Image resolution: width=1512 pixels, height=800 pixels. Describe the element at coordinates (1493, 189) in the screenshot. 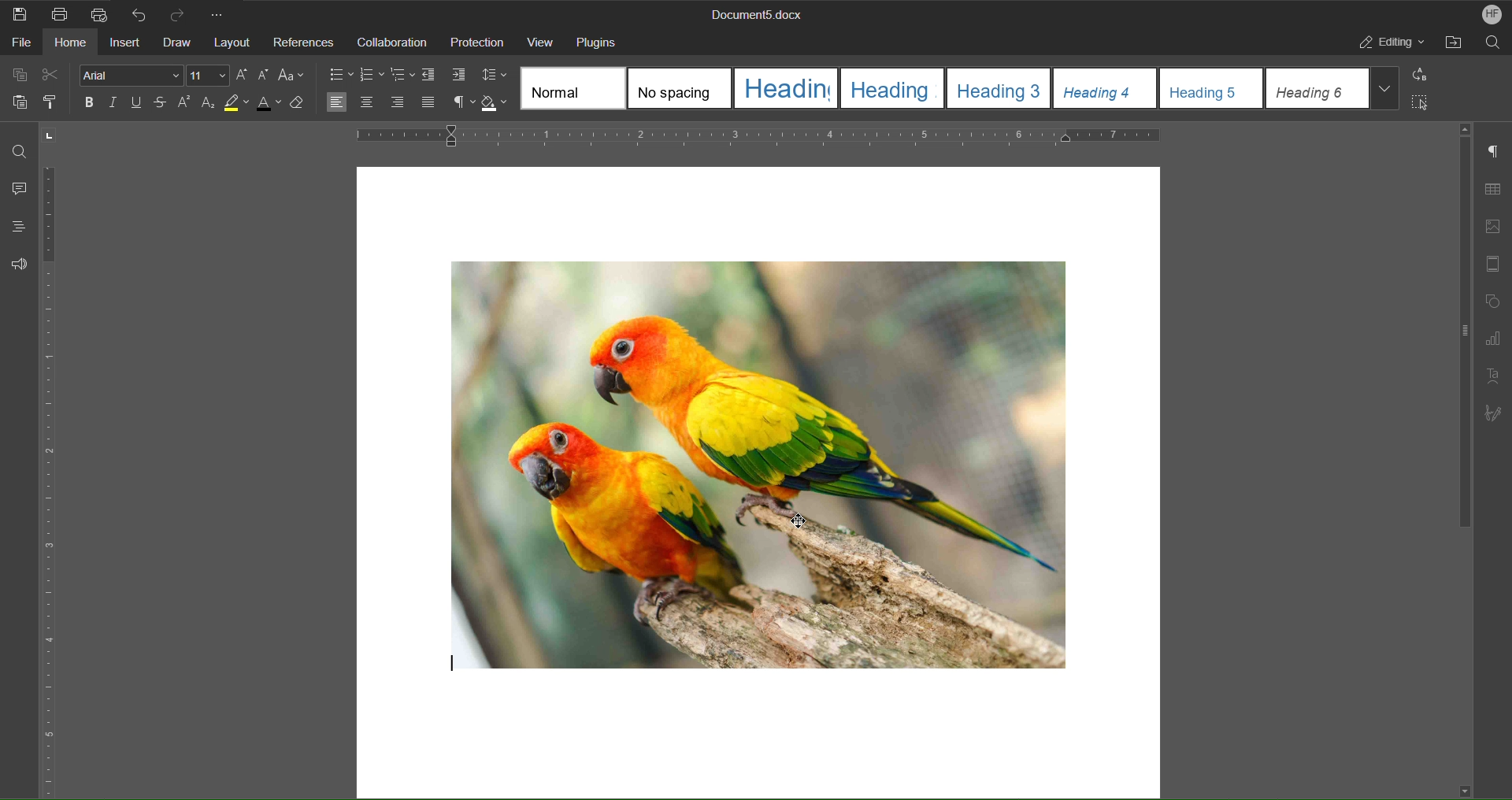

I see `Table Settings` at that location.